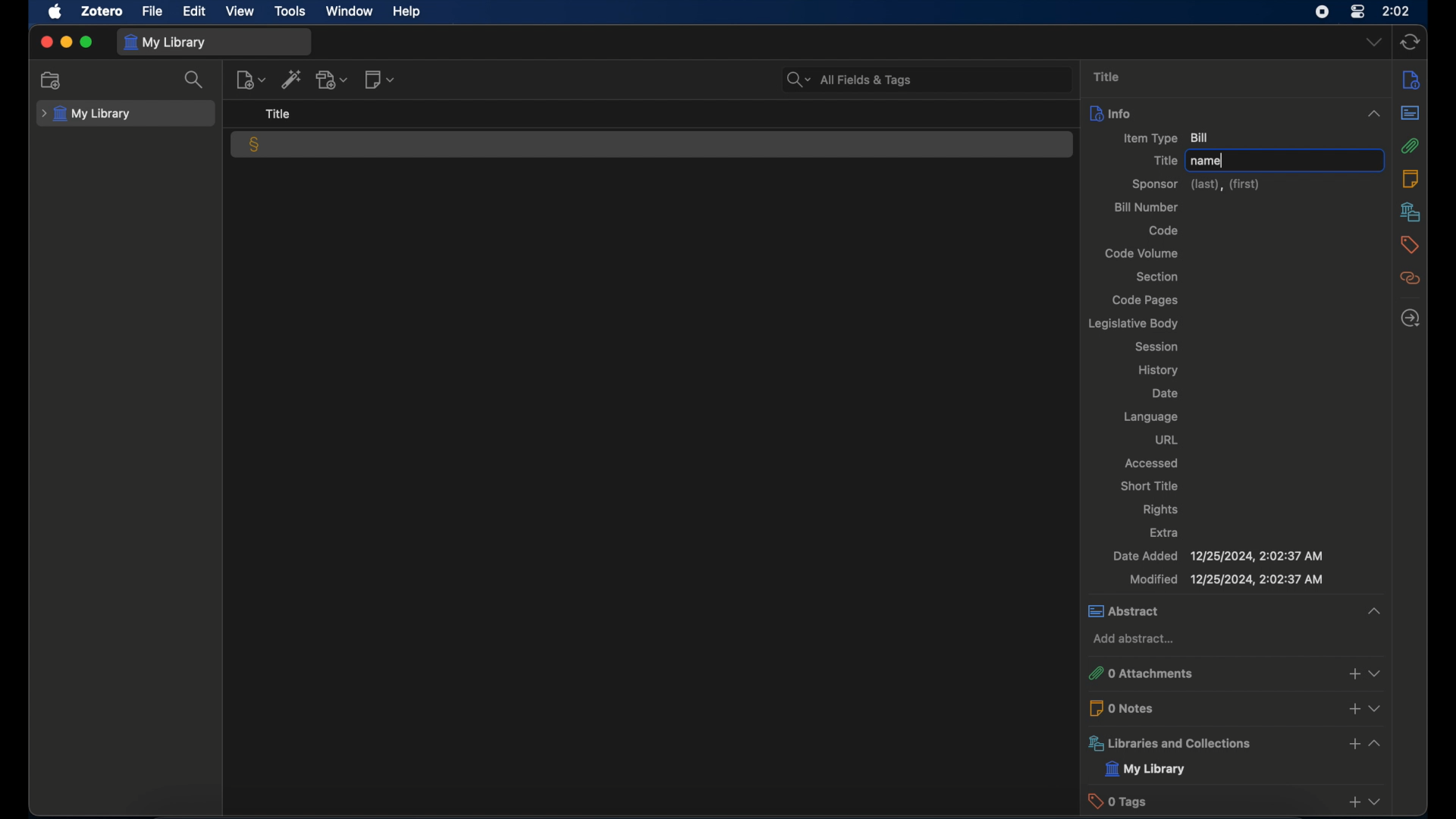  I want to click on extra, so click(1164, 533).